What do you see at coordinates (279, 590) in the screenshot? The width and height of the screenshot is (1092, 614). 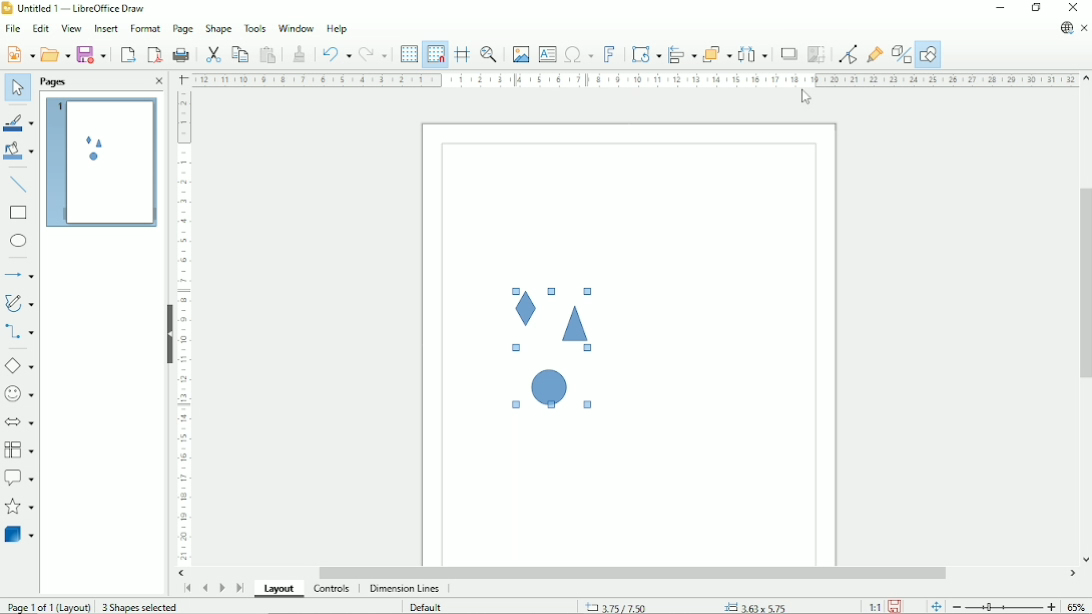 I see `Layout` at bounding box center [279, 590].